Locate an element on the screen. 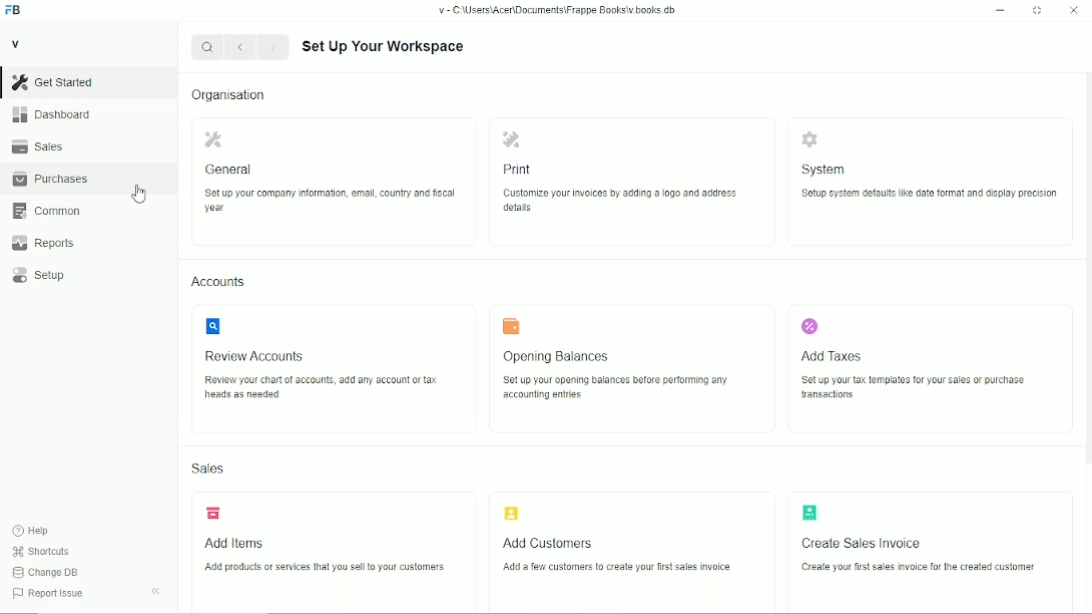 The width and height of the screenshot is (1092, 614). sales is located at coordinates (208, 469).